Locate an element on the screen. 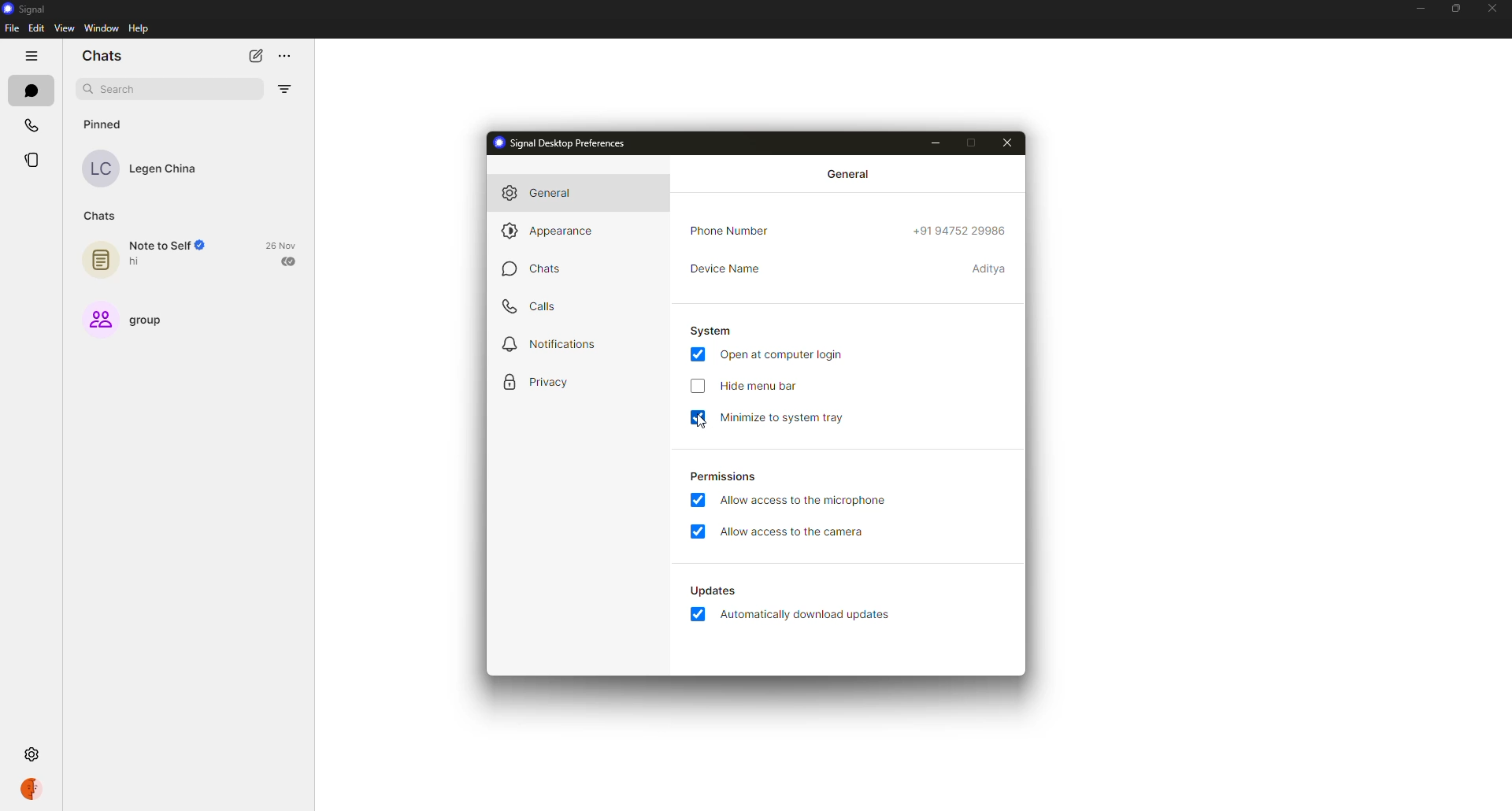 This screenshot has height=811, width=1512. edit is located at coordinates (39, 28).